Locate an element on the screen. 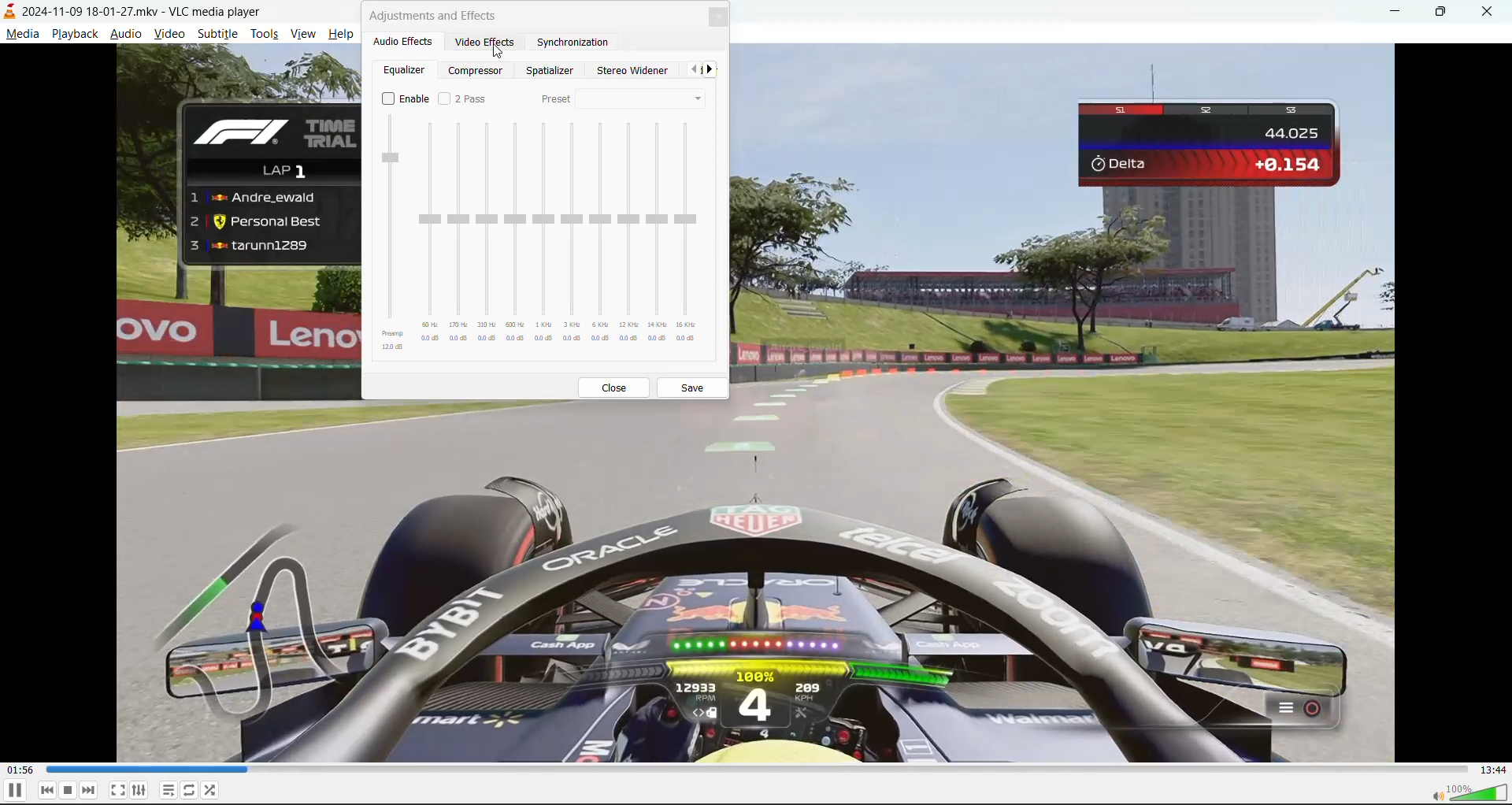 The image size is (1512, 805). next is located at coordinates (713, 72).